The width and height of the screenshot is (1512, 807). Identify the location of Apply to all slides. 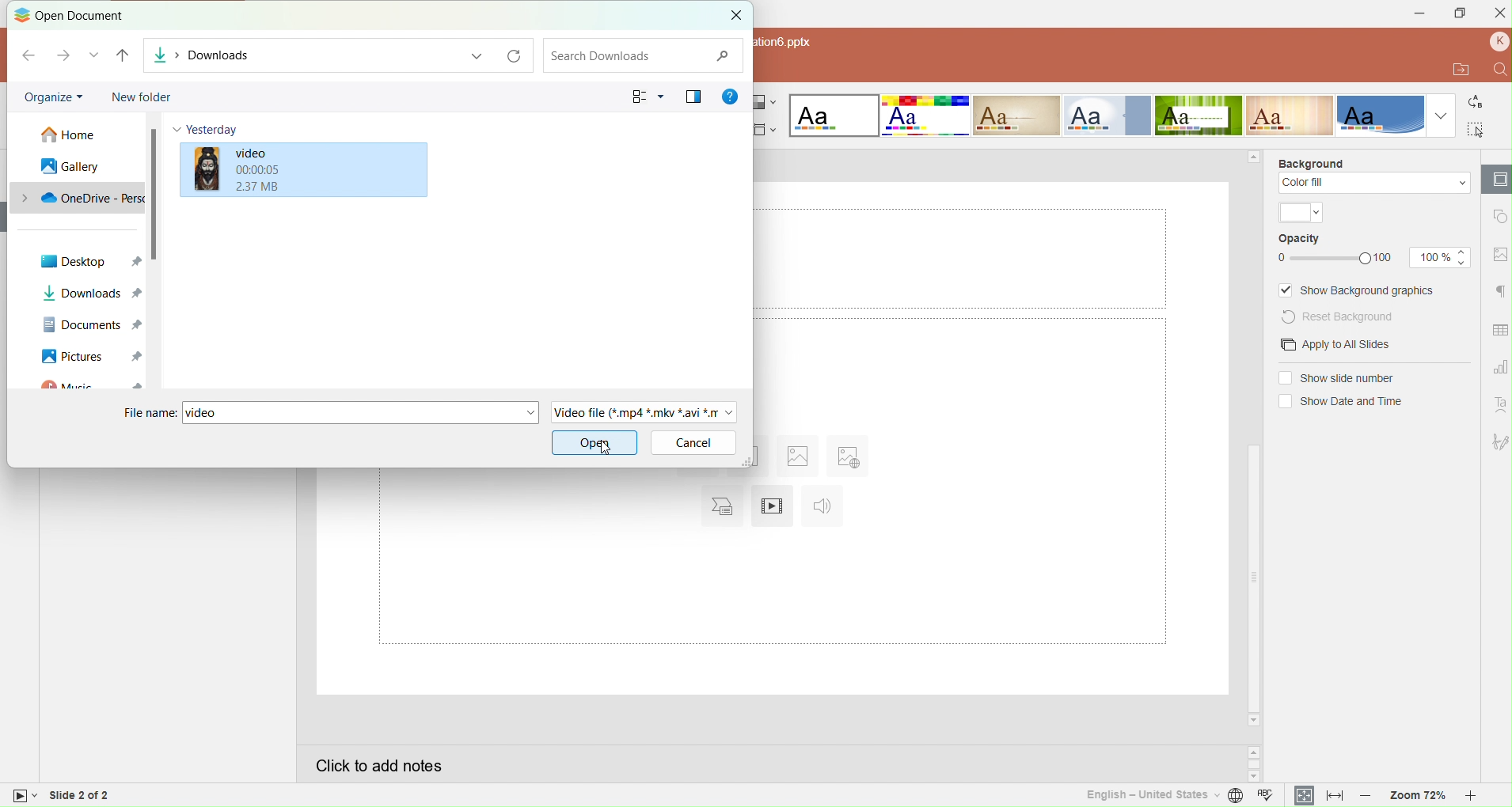
(1336, 344).